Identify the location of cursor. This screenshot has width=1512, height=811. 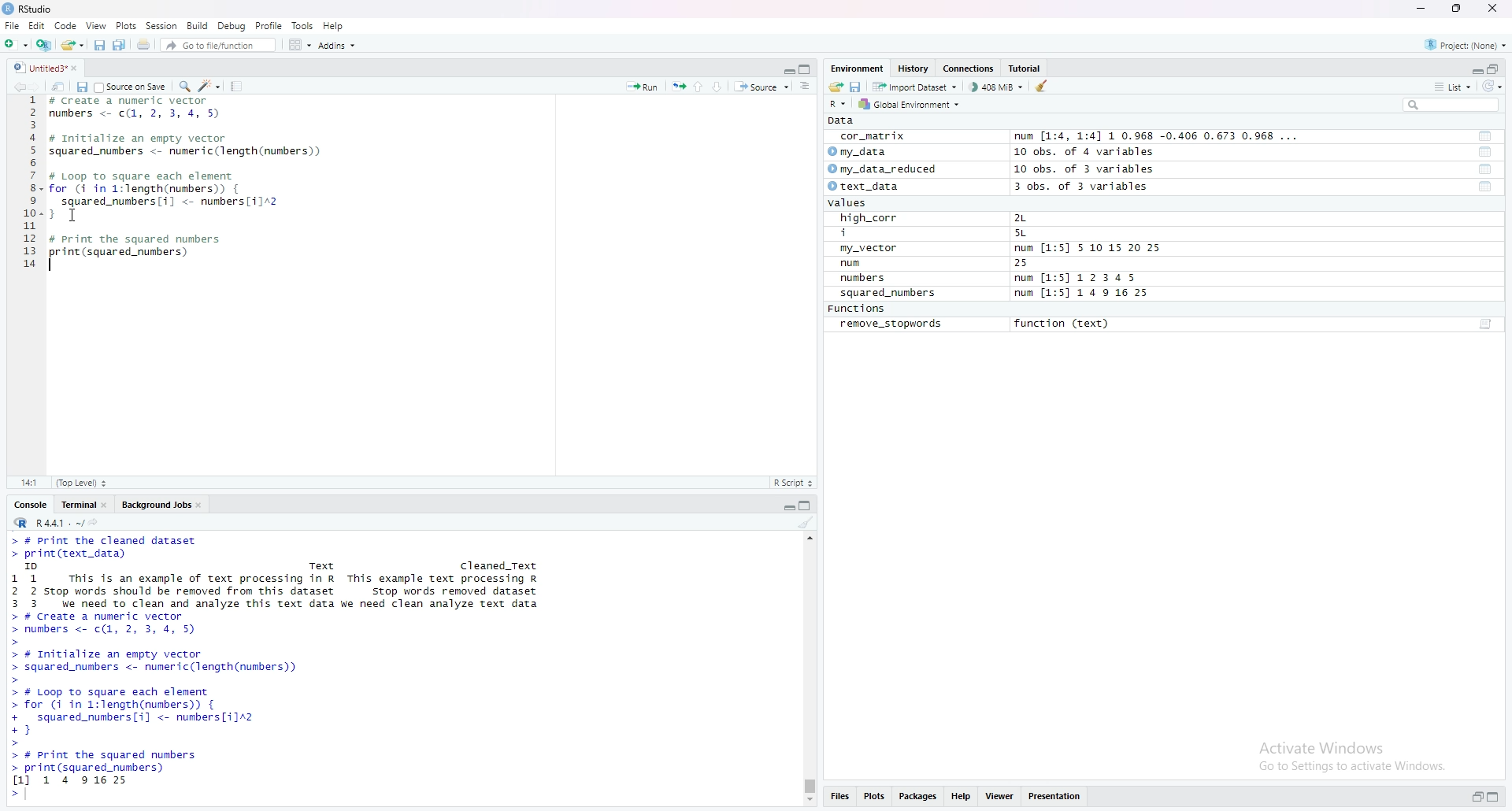
(77, 213).